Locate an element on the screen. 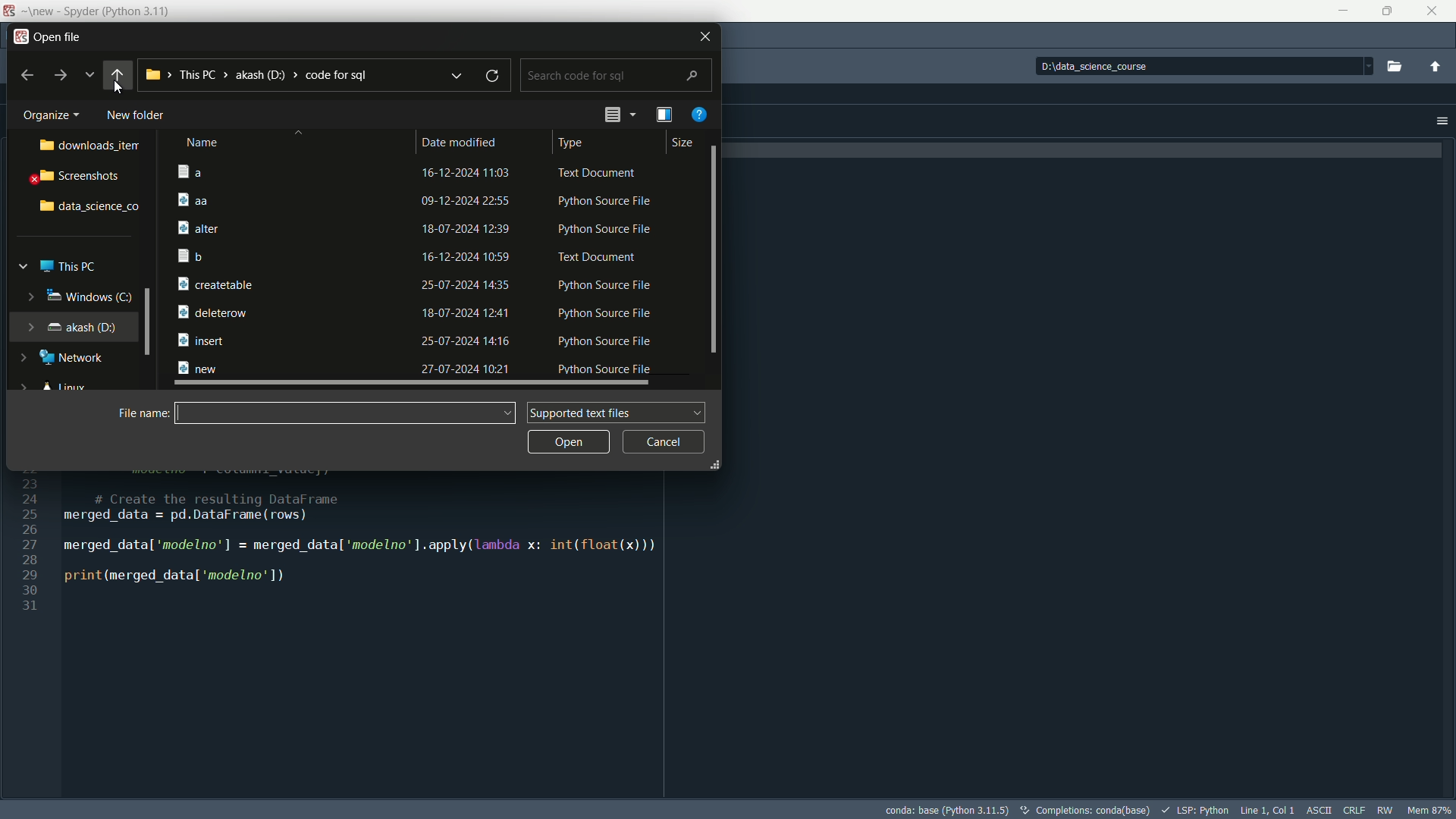  type is located at coordinates (588, 143).